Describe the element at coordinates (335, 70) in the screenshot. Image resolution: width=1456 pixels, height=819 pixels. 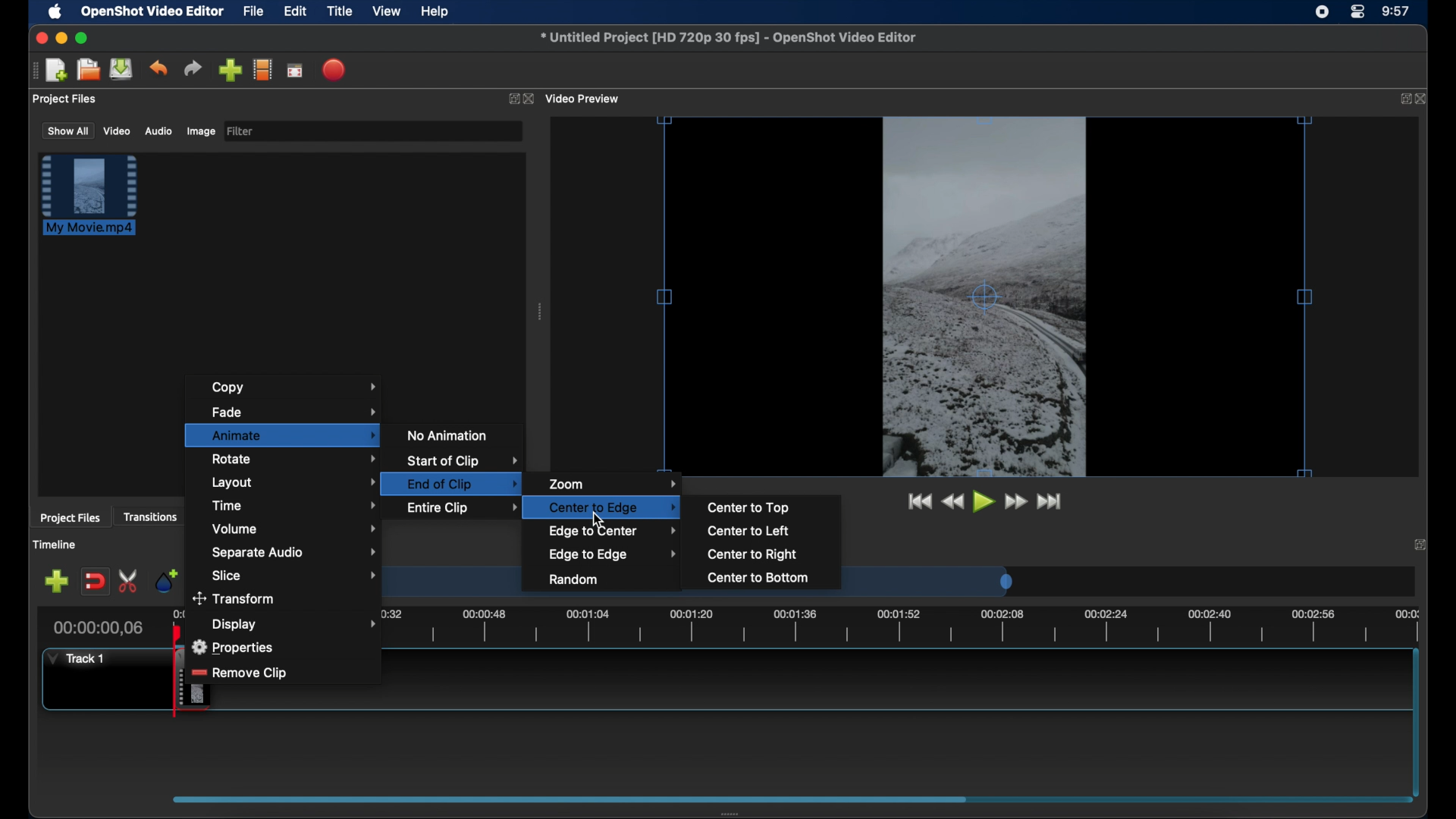
I see `export video` at that location.